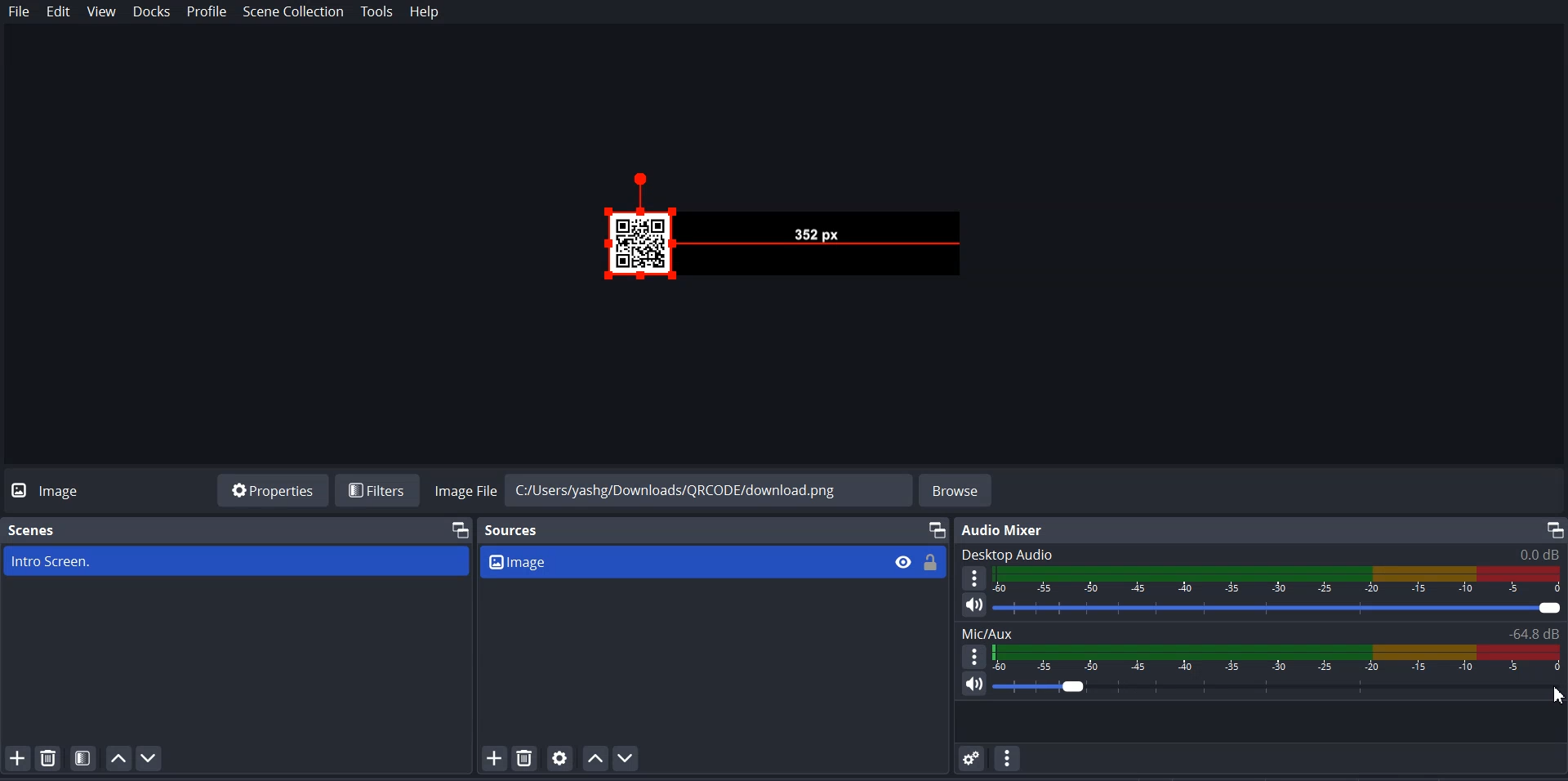 This screenshot has height=781, width=1568. Describe the element at coordinates (380, 490) in the screenshot. I see `Filters` at that location.